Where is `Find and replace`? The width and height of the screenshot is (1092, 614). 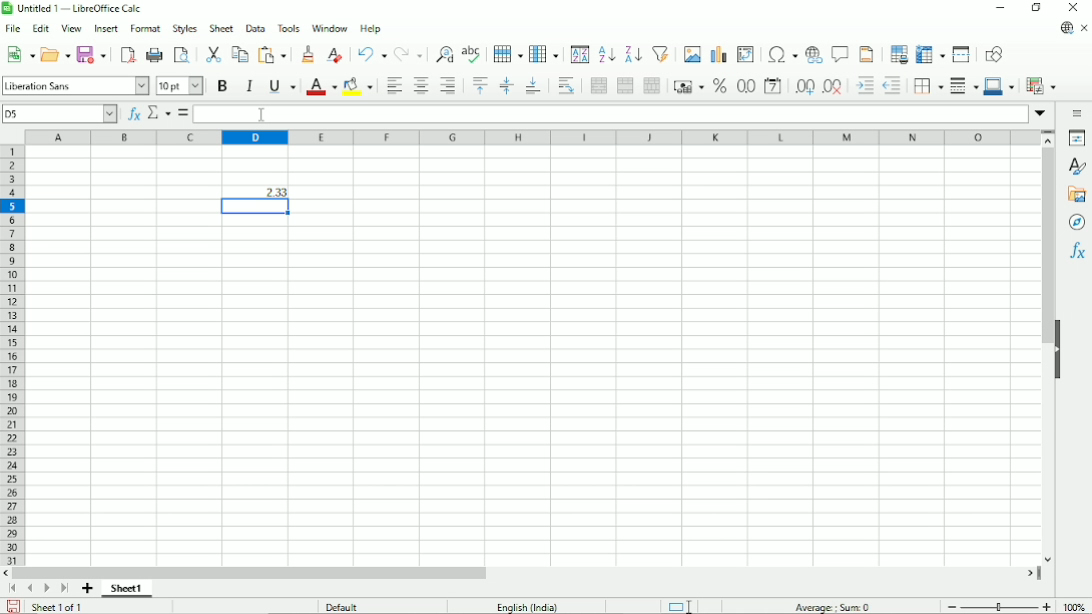 Find and replace is located at coordinates (444, 54).